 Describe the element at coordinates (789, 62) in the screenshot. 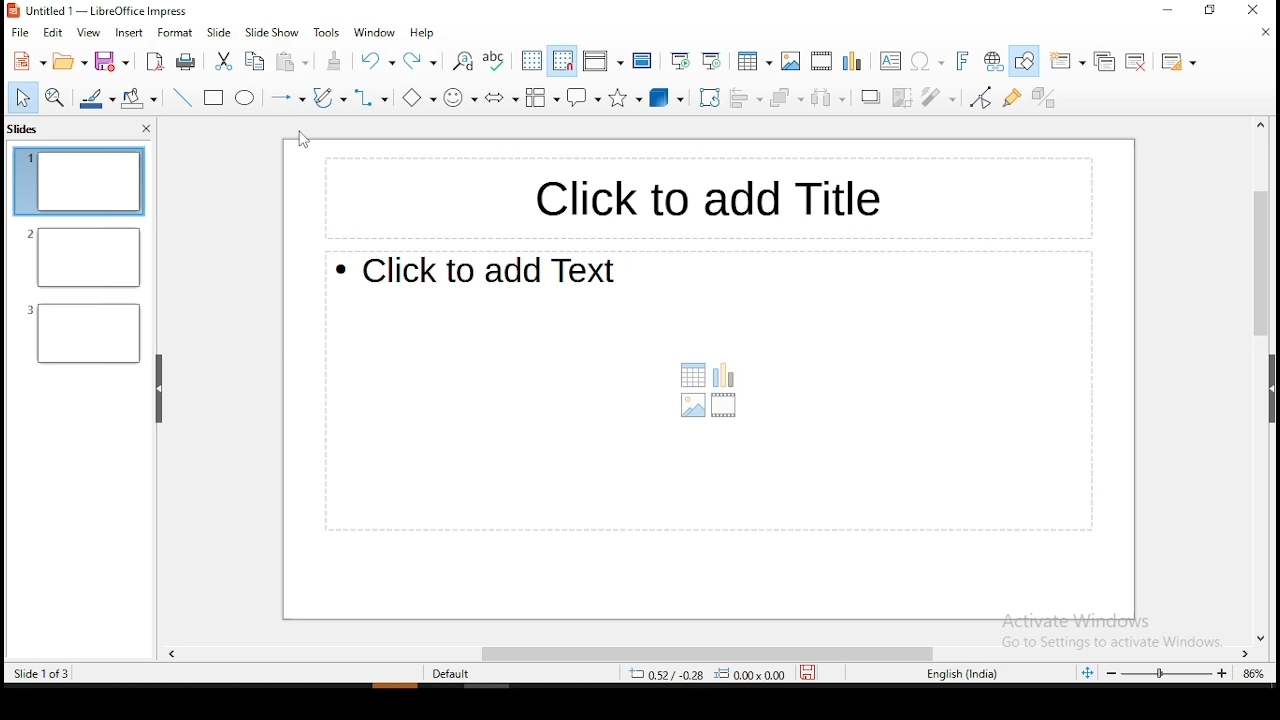

I see `insert image` at that location.